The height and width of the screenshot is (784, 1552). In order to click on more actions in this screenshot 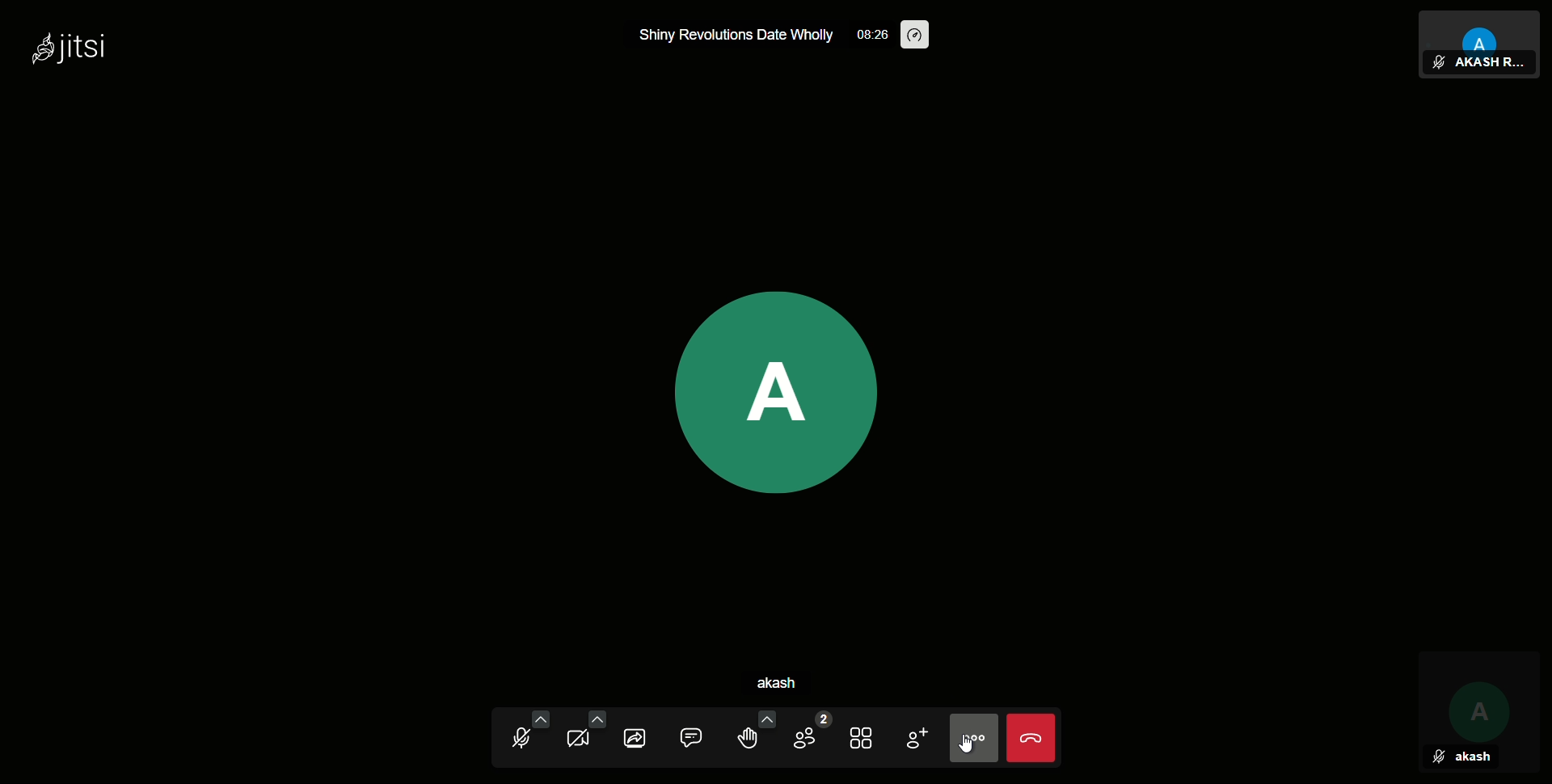, I will do `click(973, 737)`.